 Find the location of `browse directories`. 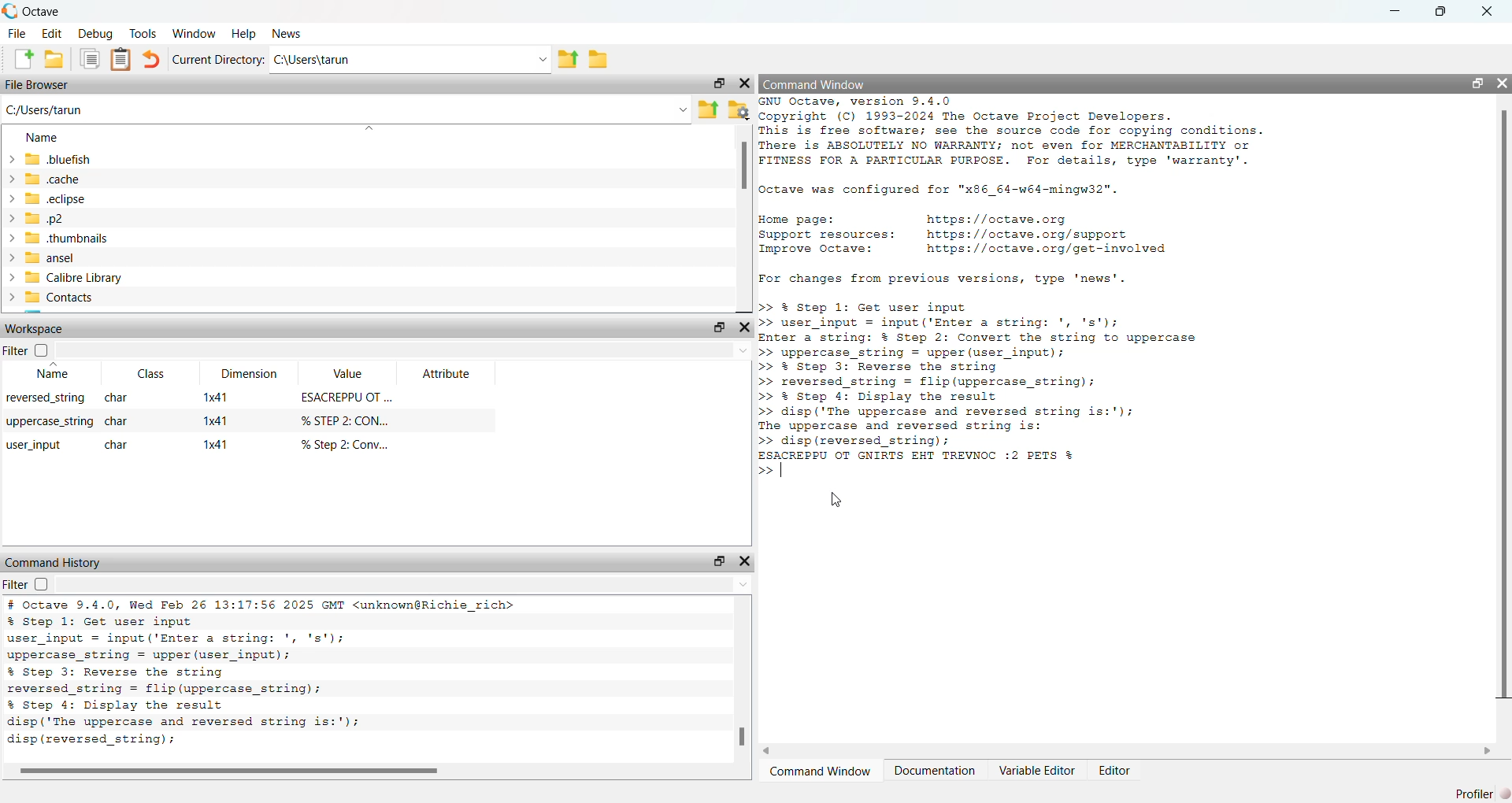

browse directories is located at coordinates (602, 60).